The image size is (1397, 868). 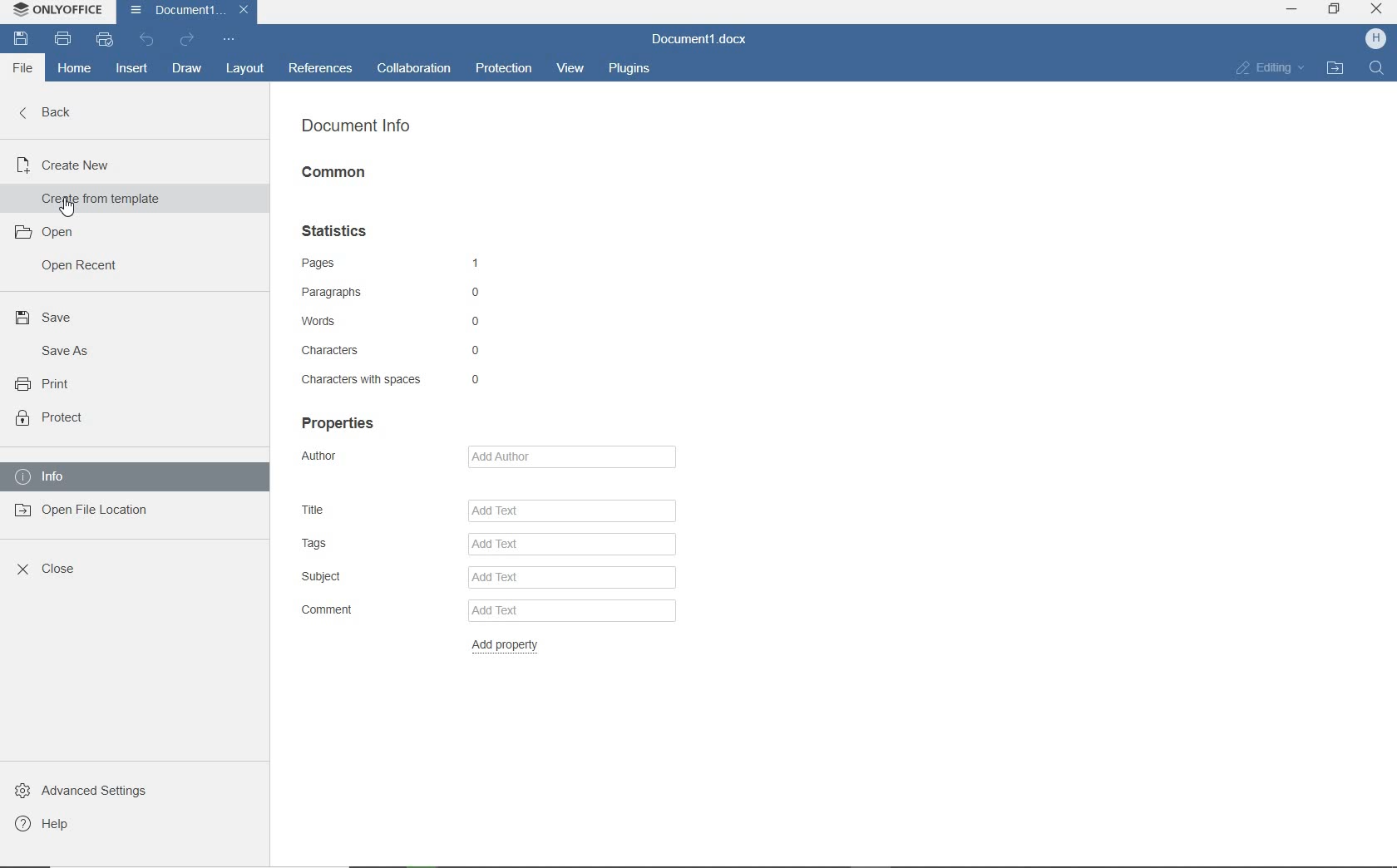 What do you see at coordinates (80, 264) in the screenshot?
I see `` at bounding box center [80, 264].